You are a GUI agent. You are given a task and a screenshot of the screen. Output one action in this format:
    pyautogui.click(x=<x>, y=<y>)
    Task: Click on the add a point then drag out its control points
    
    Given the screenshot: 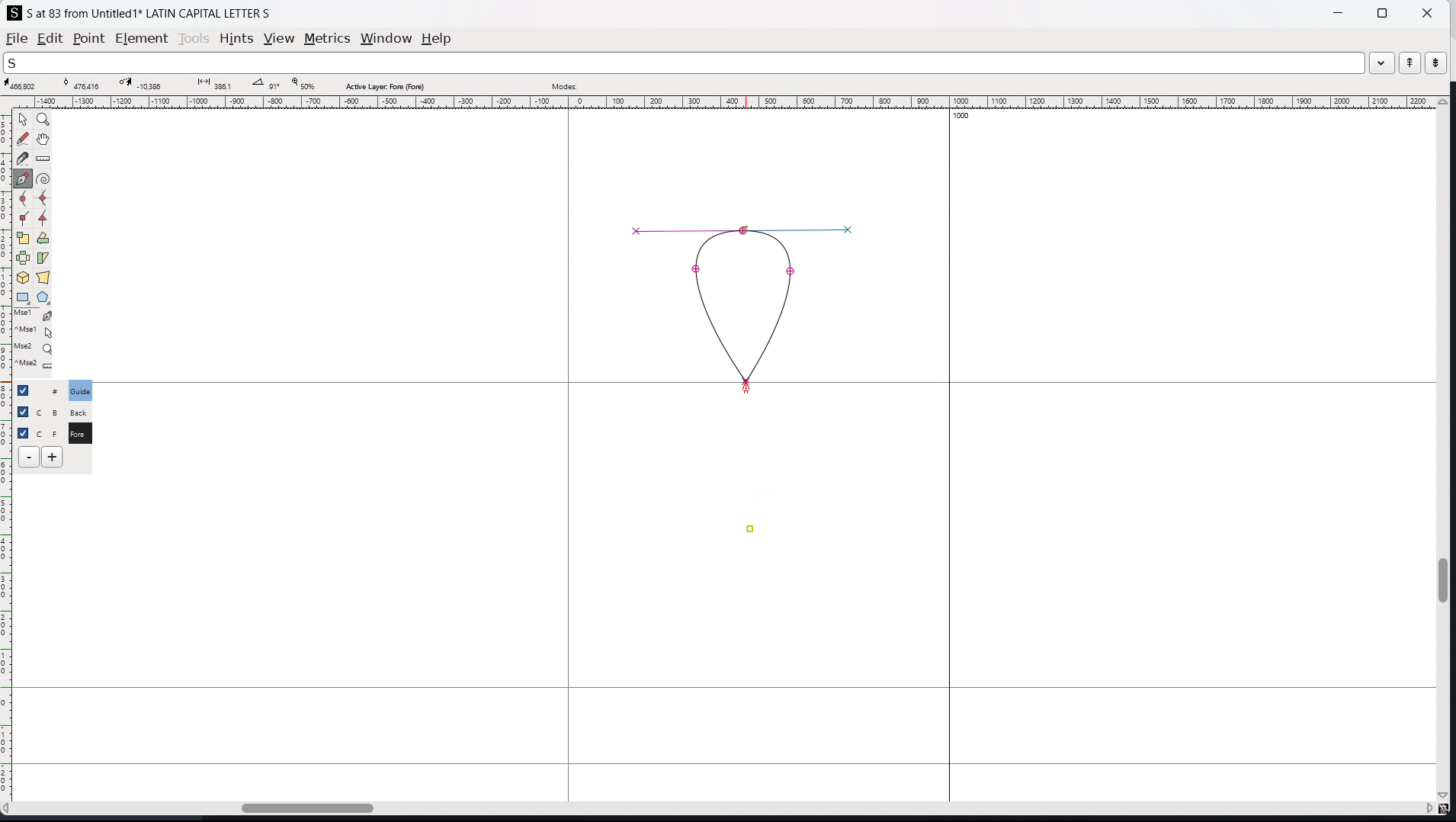 What is the action you would take?
    pyautogui.click(x=24, y=178)
    